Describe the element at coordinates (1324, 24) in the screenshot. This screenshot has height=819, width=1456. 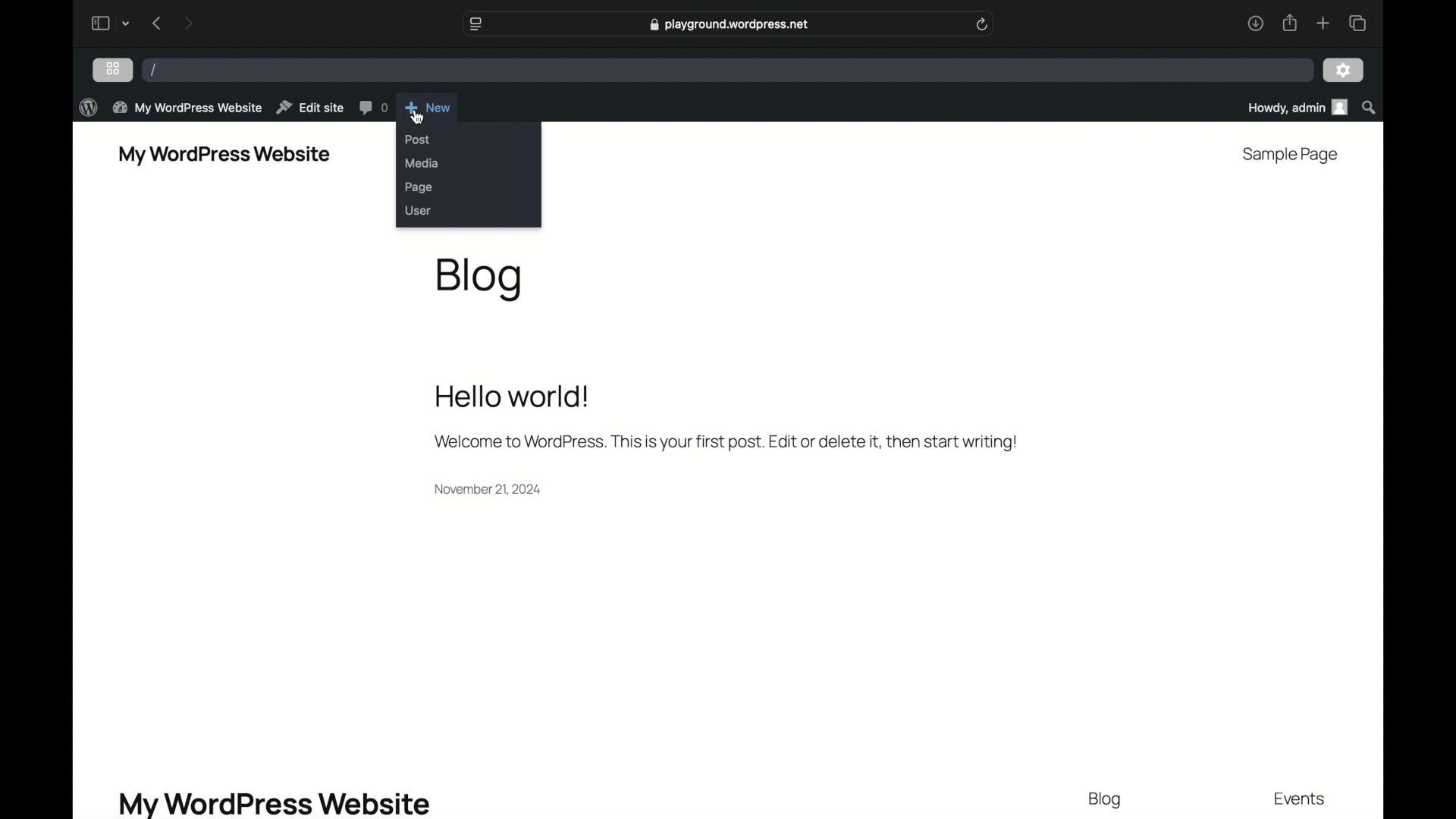
I see `new tab` at that location.